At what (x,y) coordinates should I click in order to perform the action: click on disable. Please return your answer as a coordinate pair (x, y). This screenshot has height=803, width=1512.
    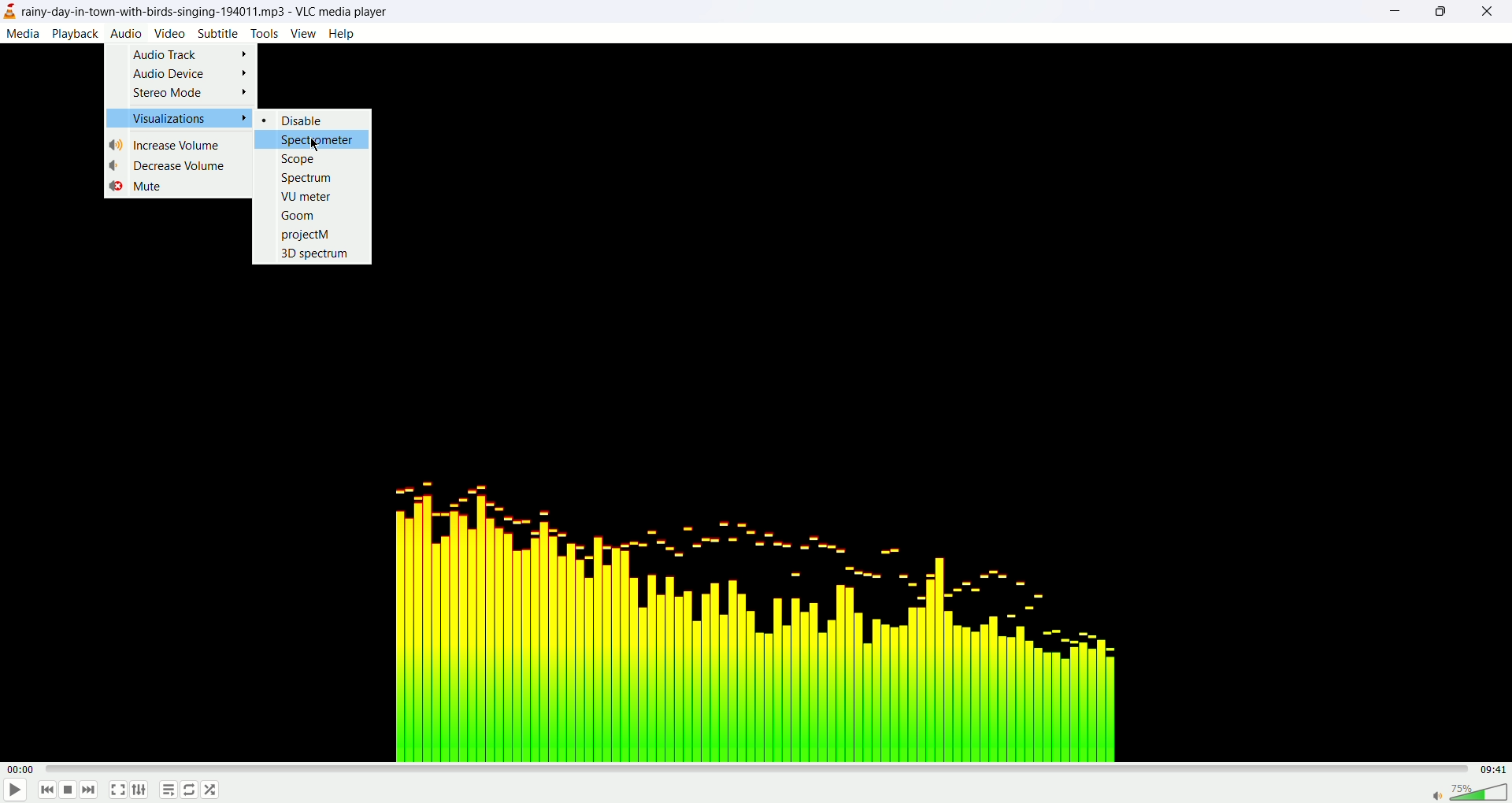
    Looking at the image, I should click on (304, 121).